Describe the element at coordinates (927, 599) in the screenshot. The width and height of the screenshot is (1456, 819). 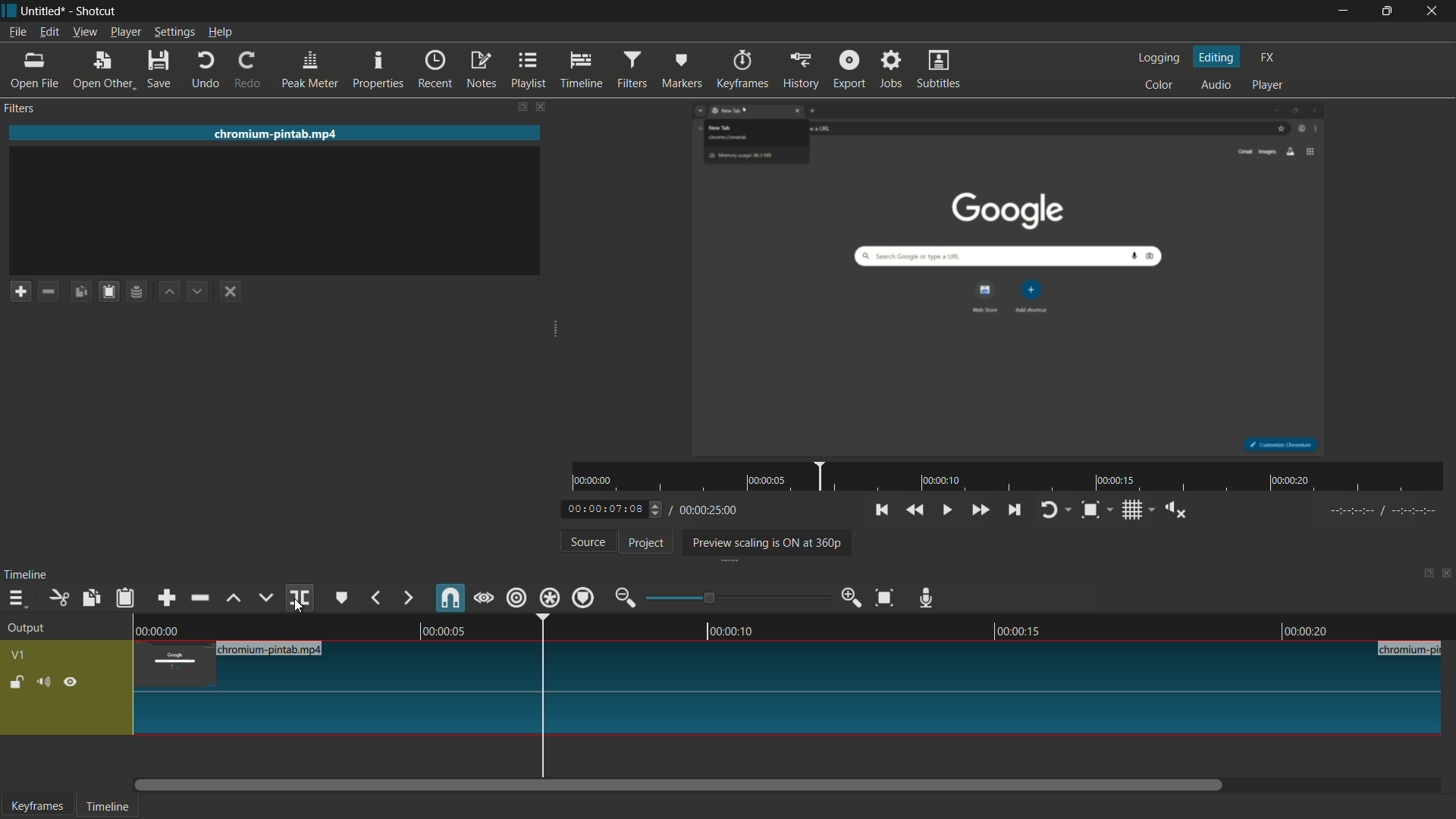
I see `record audio` at that location.